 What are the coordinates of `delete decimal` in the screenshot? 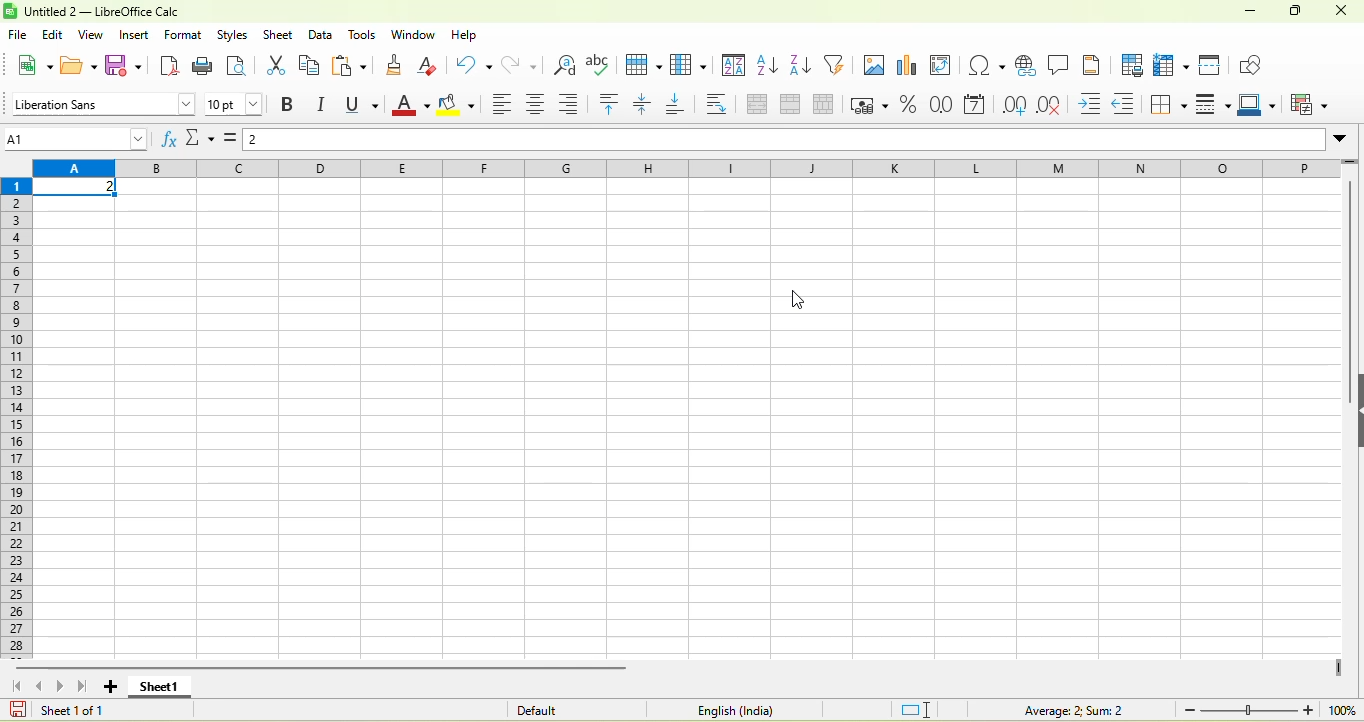 It's located at (1058, 106).